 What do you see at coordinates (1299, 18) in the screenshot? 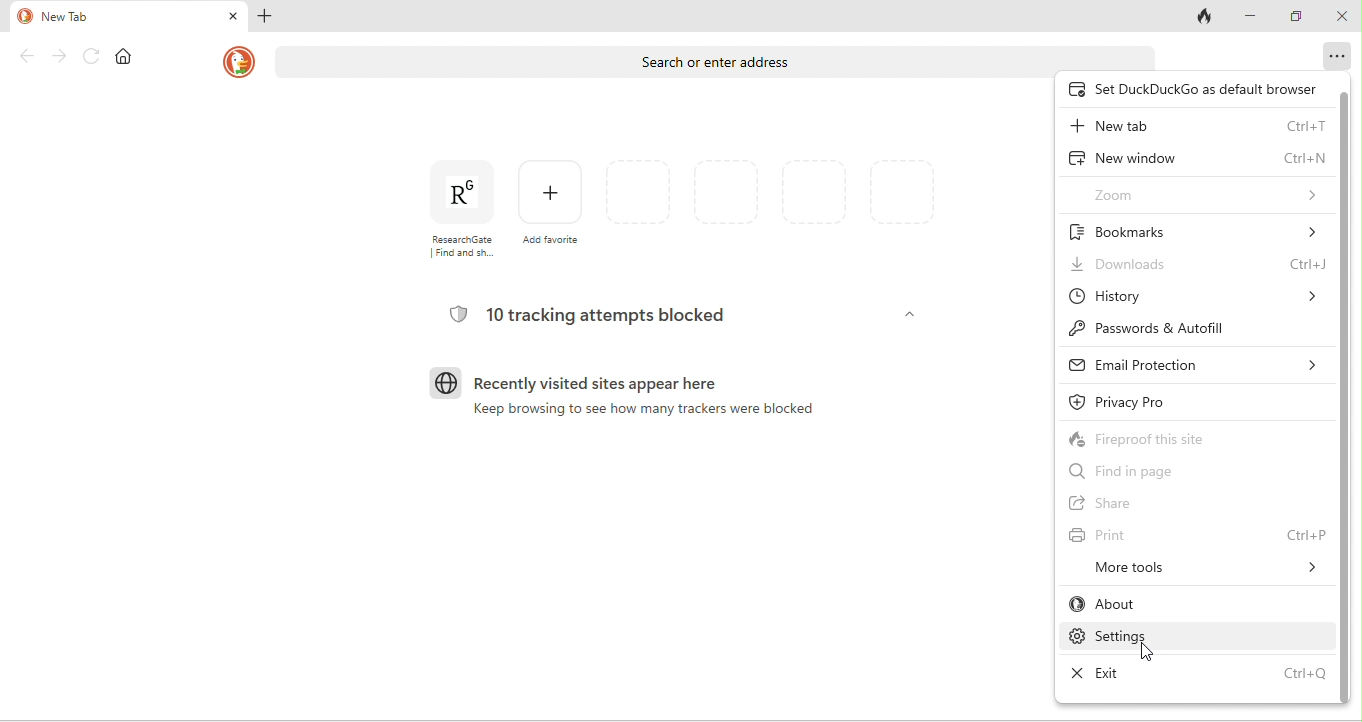
I see `maximize` at bounding box center [1299, 18].